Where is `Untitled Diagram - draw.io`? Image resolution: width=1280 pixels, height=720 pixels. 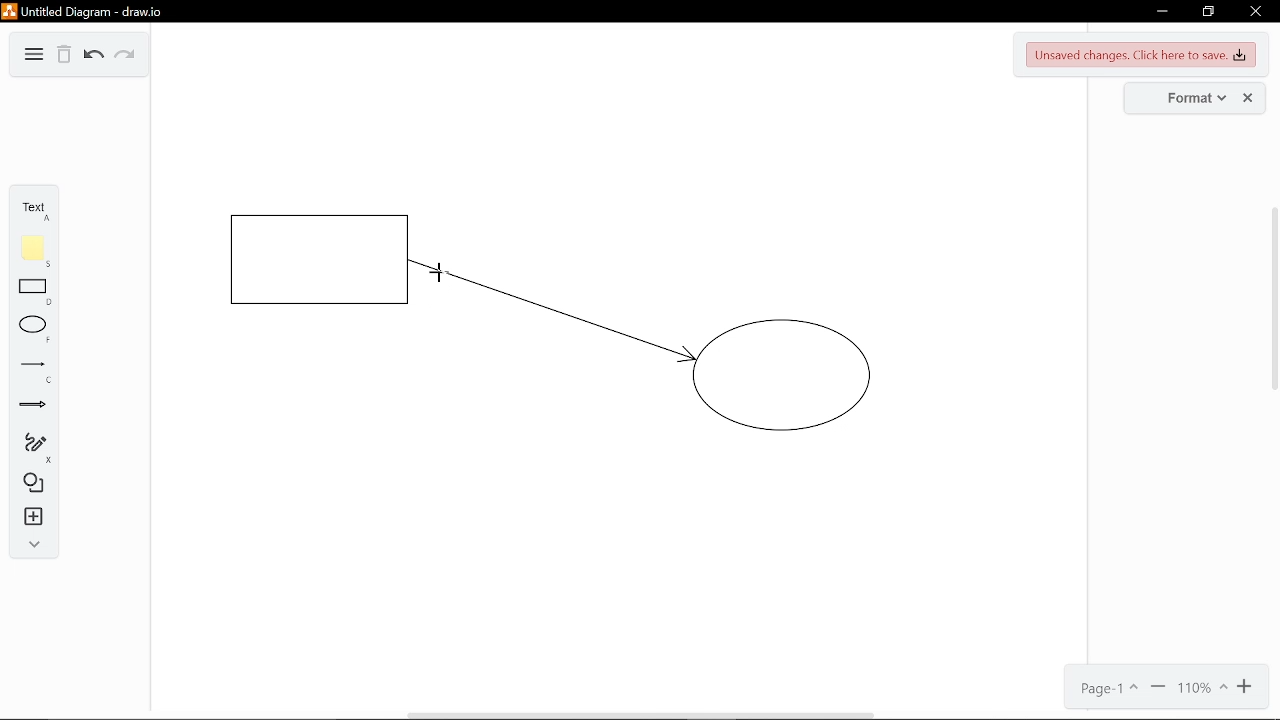
Untitled Diagram - draw.io is located at coordinates (82, 10).